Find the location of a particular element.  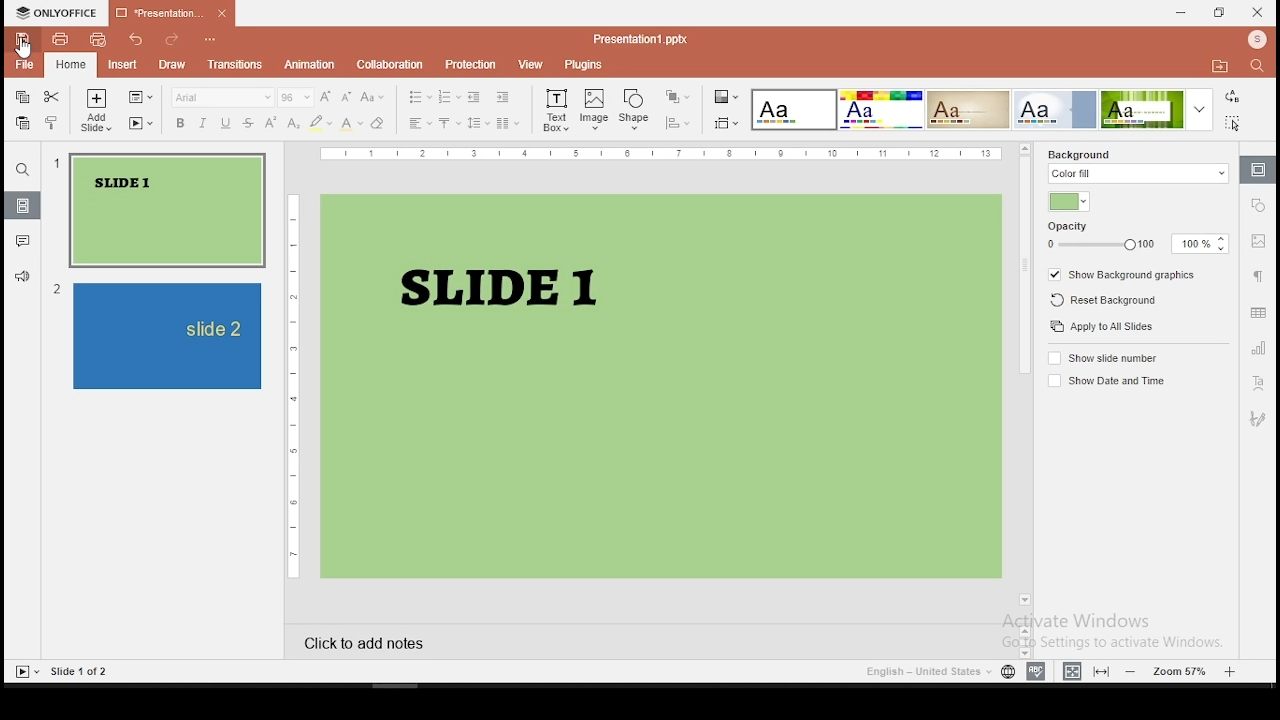

strikethrough is located at coordinates (248, 123).